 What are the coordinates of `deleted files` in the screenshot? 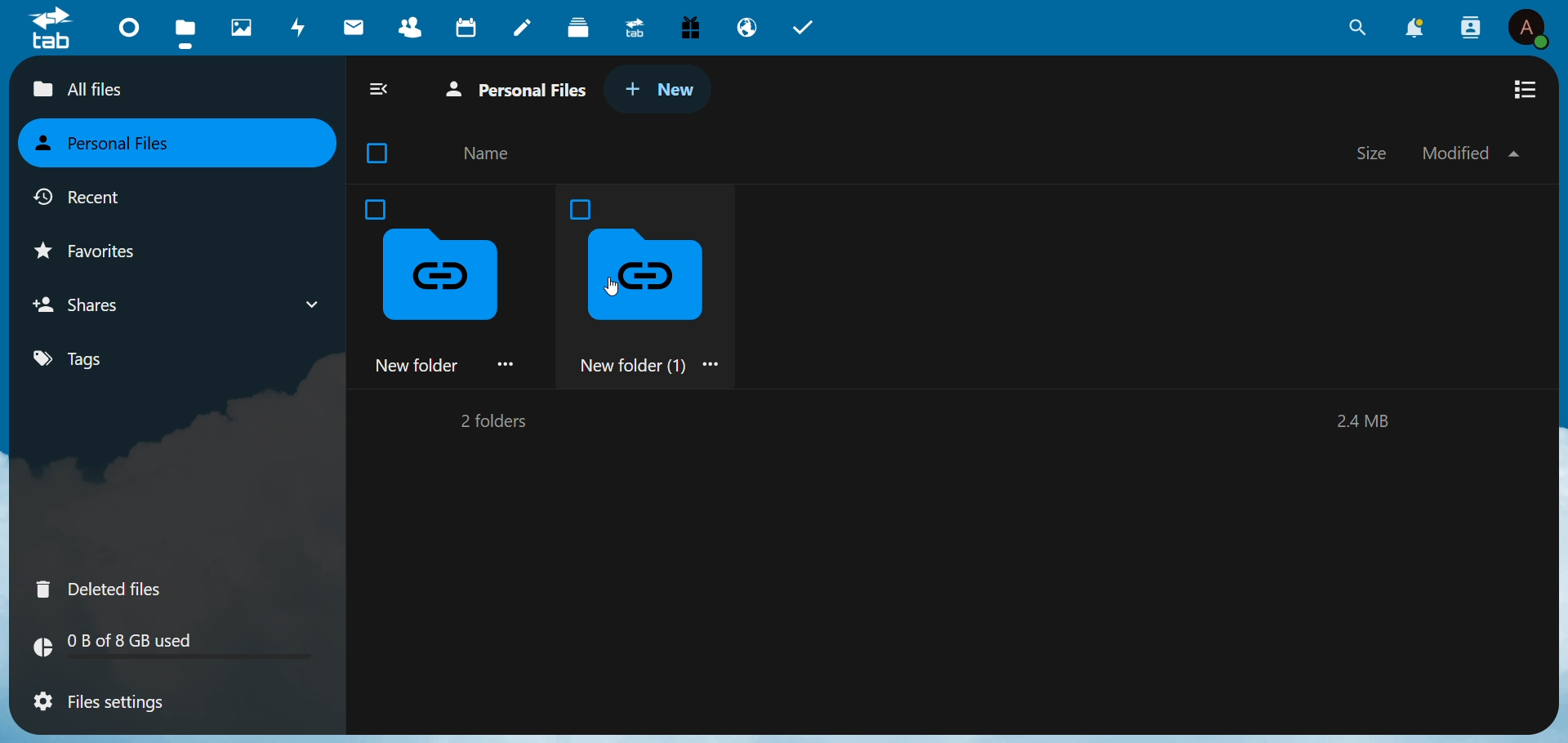 It's located at (101, 588).